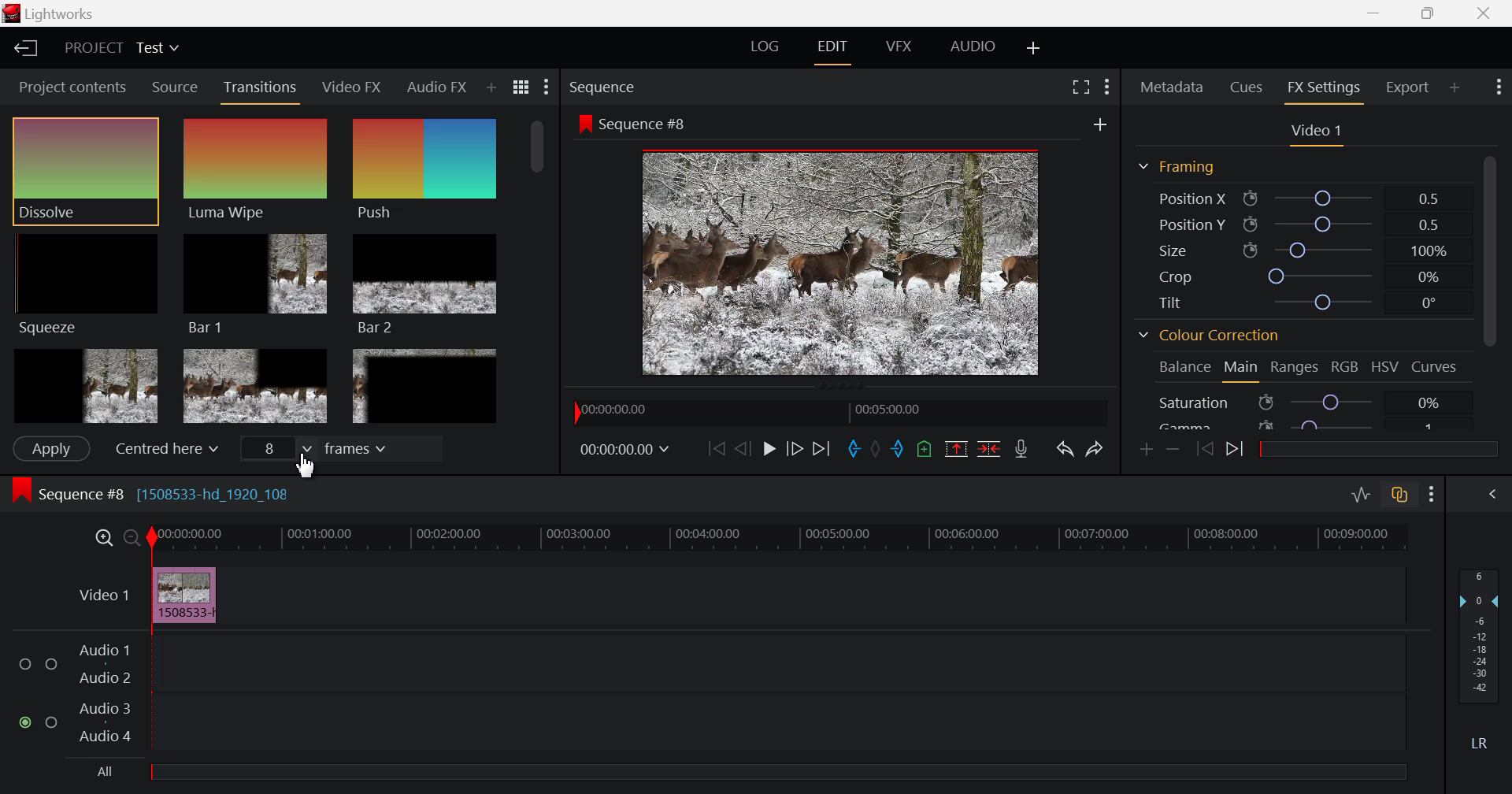 This screenshot has width=1512, height=794. I want to click on Delete/Cut, so click(991, 450).